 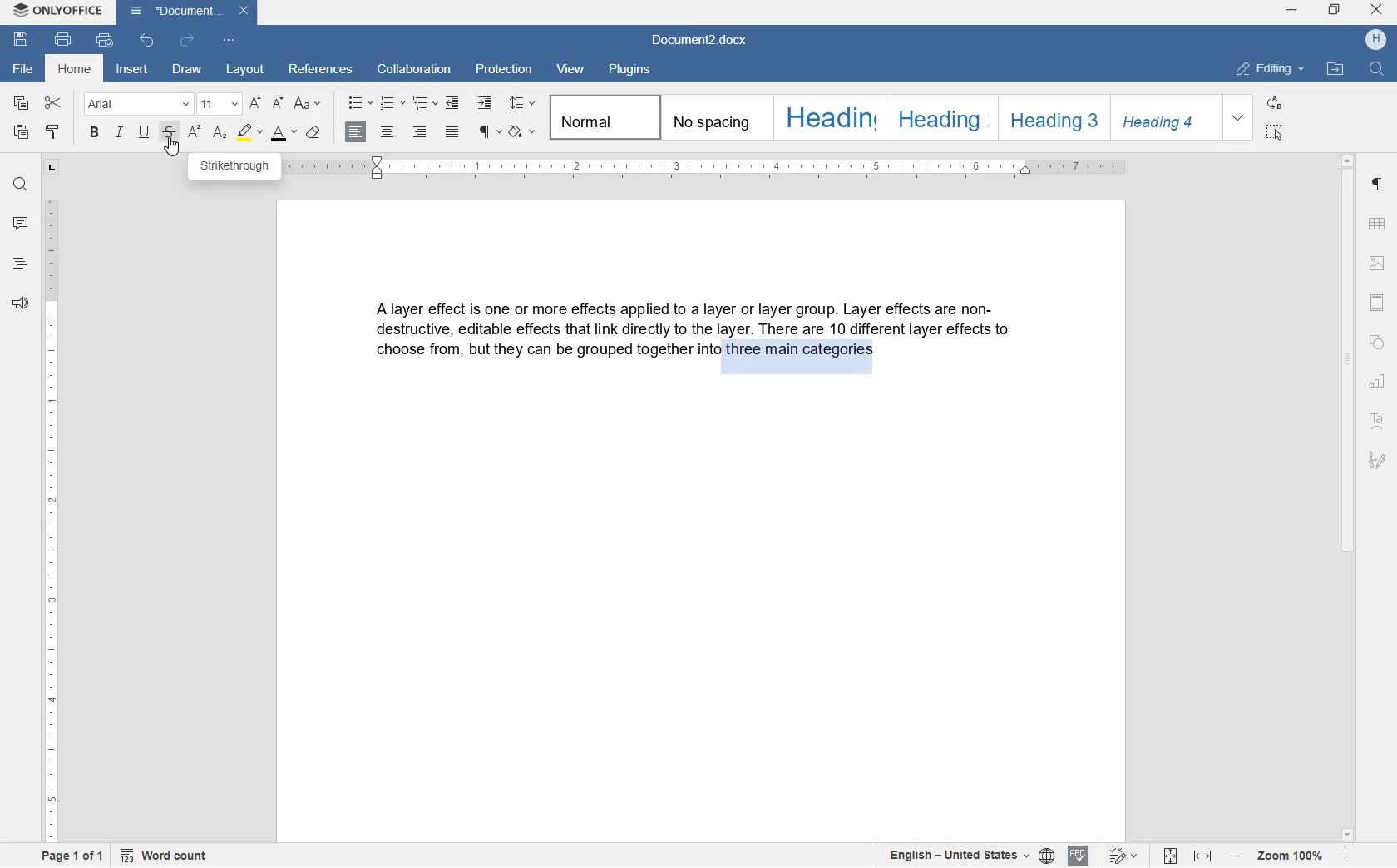 What do you see at coordinates (20, 39) in the screenshot?
I see `save` at bounding box center [20, 39].